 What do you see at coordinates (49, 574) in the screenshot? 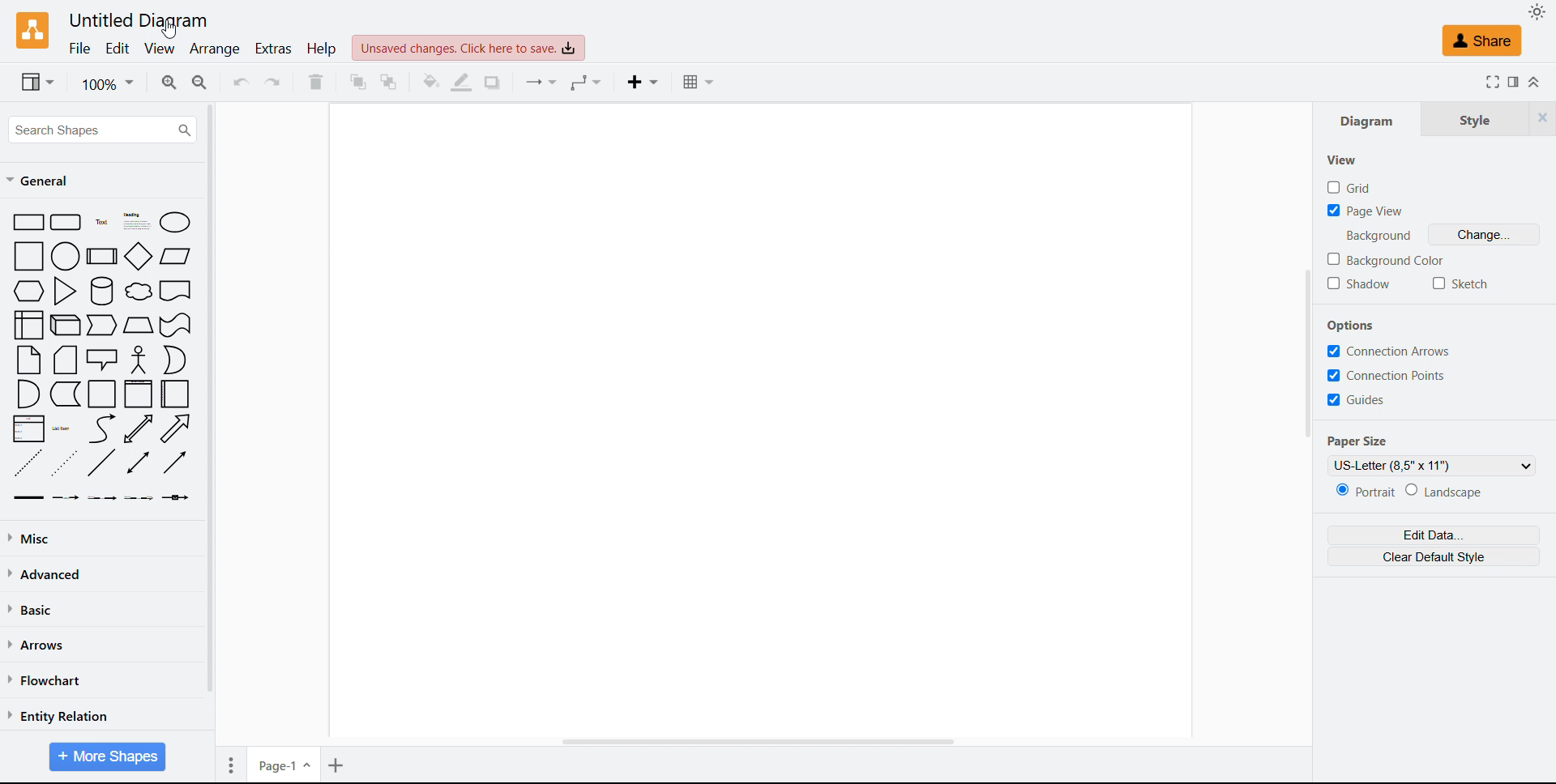
I see `Advanced ` at bounding box center [49, 574].